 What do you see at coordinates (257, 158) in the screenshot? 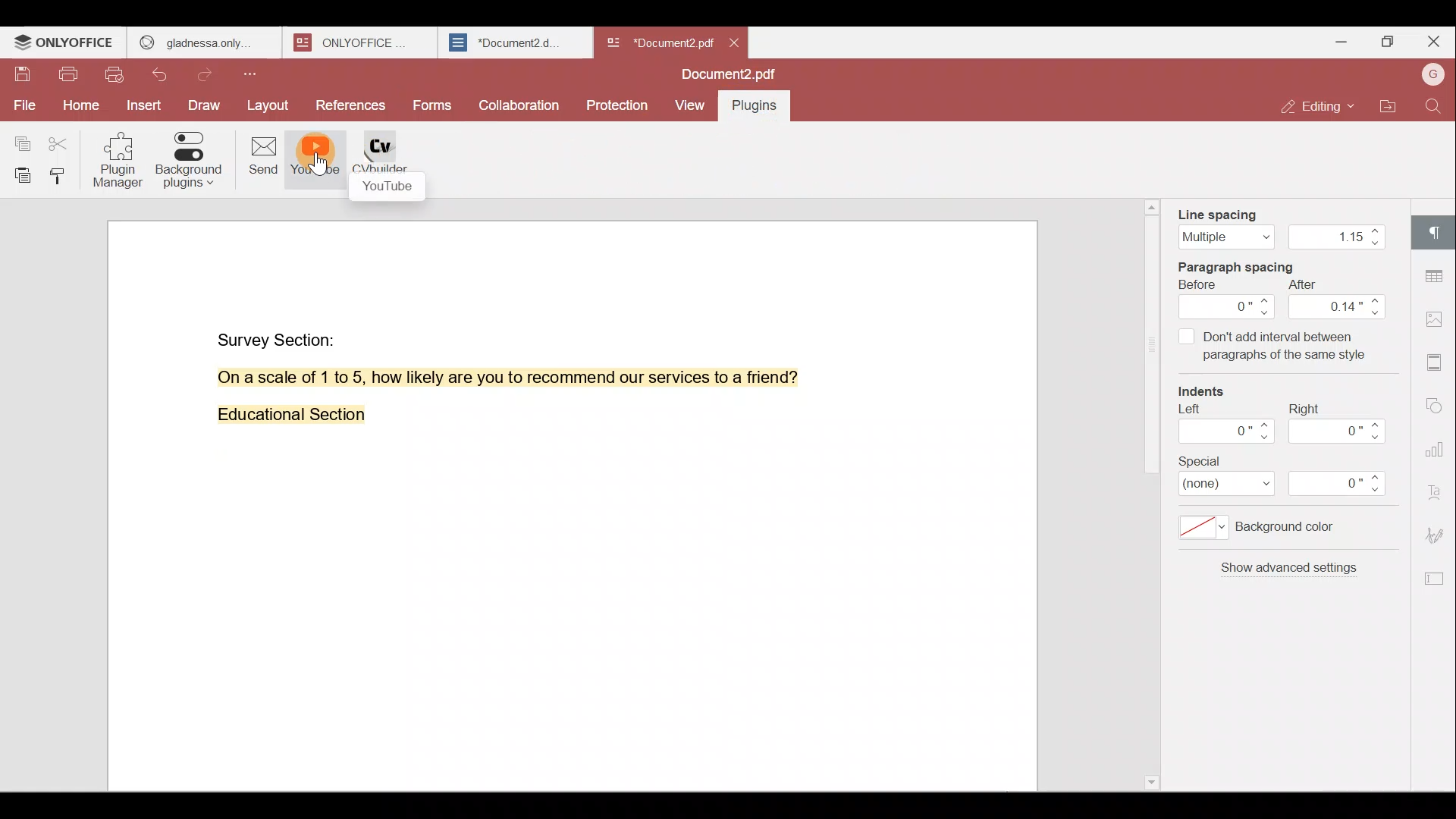
I see `Send` at bounding box center [257, 158].